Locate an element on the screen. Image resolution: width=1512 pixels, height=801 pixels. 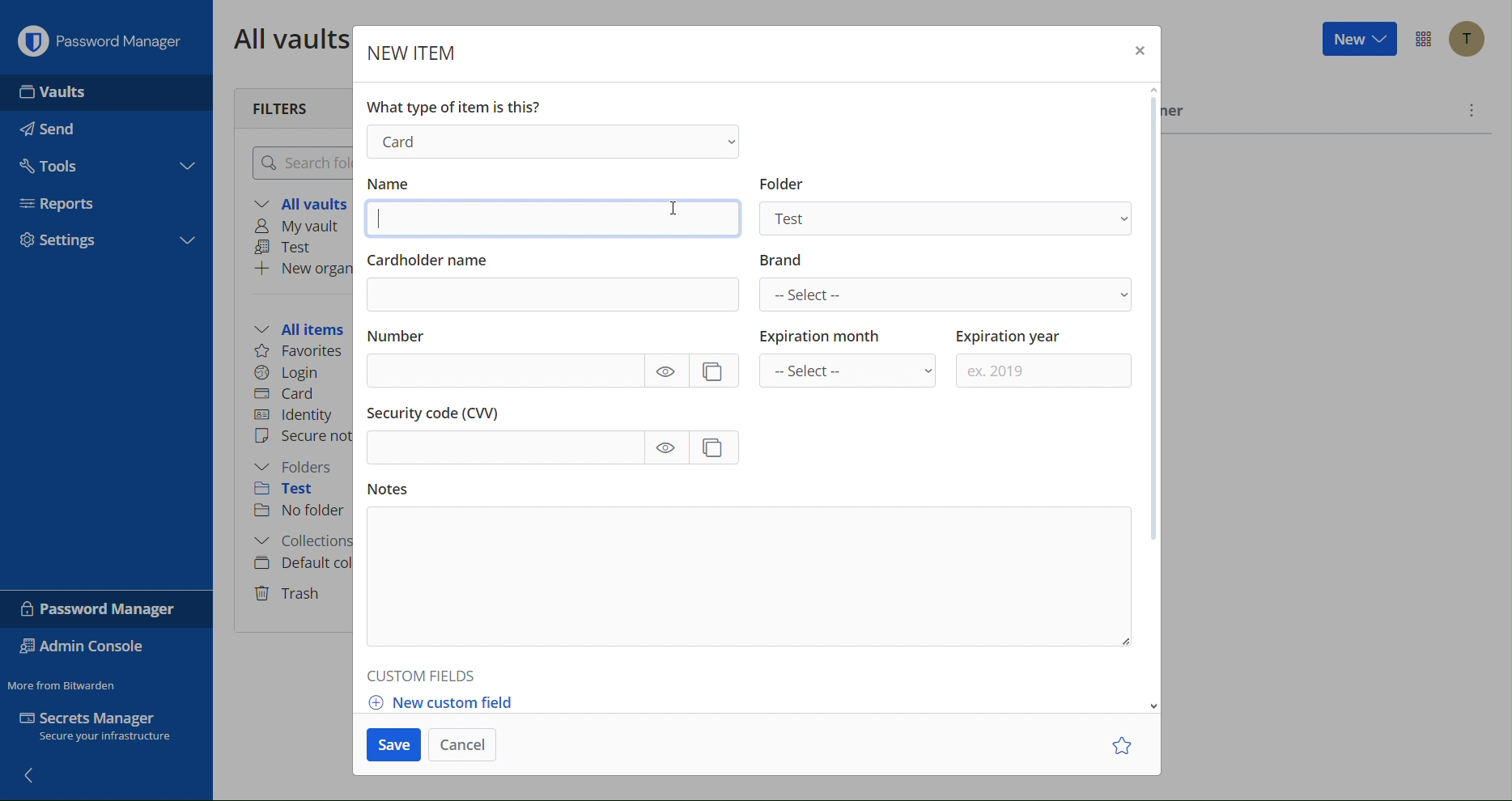
Vaults is located at coordinates (57, 89).